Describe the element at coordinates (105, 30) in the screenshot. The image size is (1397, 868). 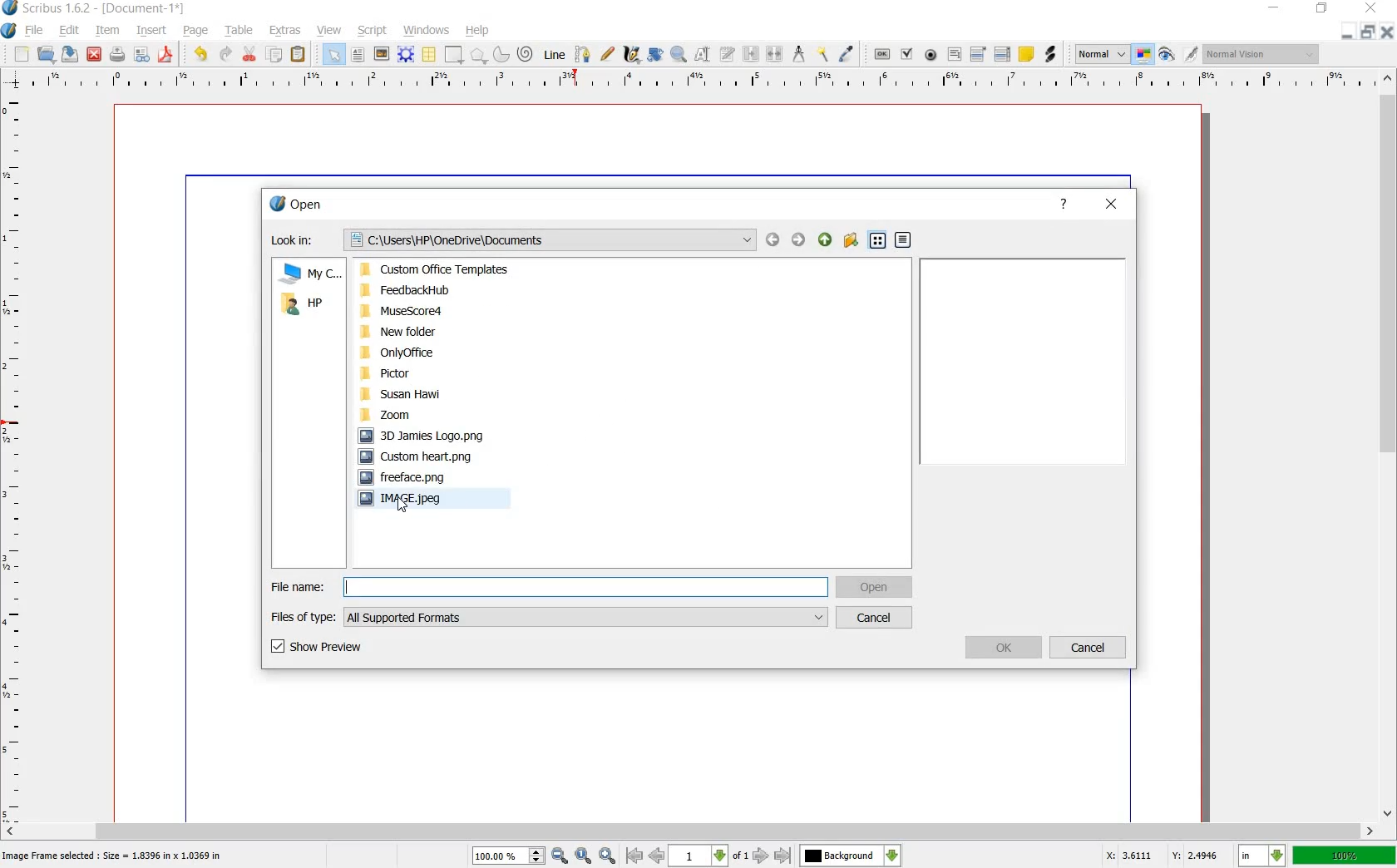
I see `item` at that location.